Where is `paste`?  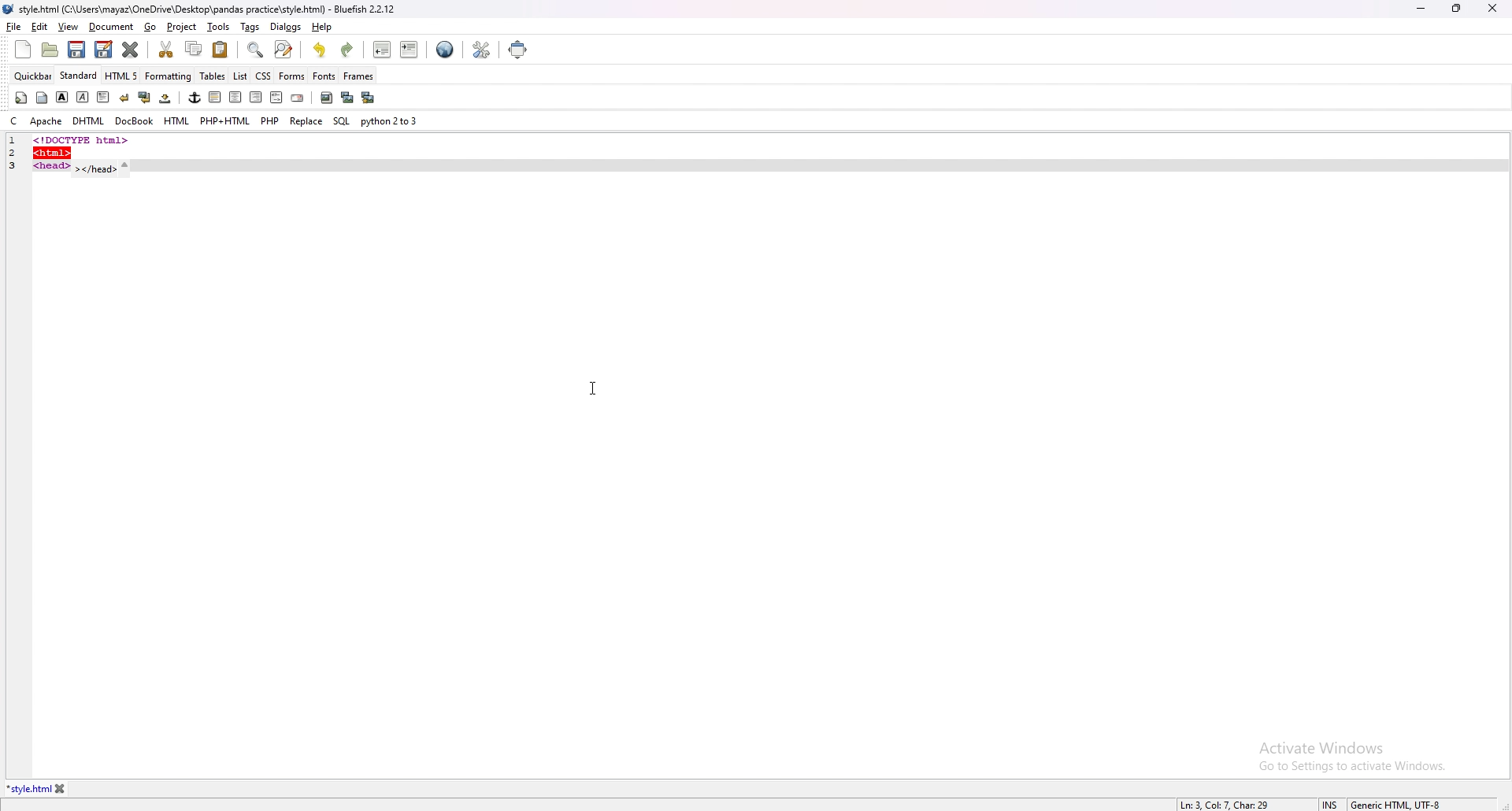
paste is located at coordinates (220, 49).